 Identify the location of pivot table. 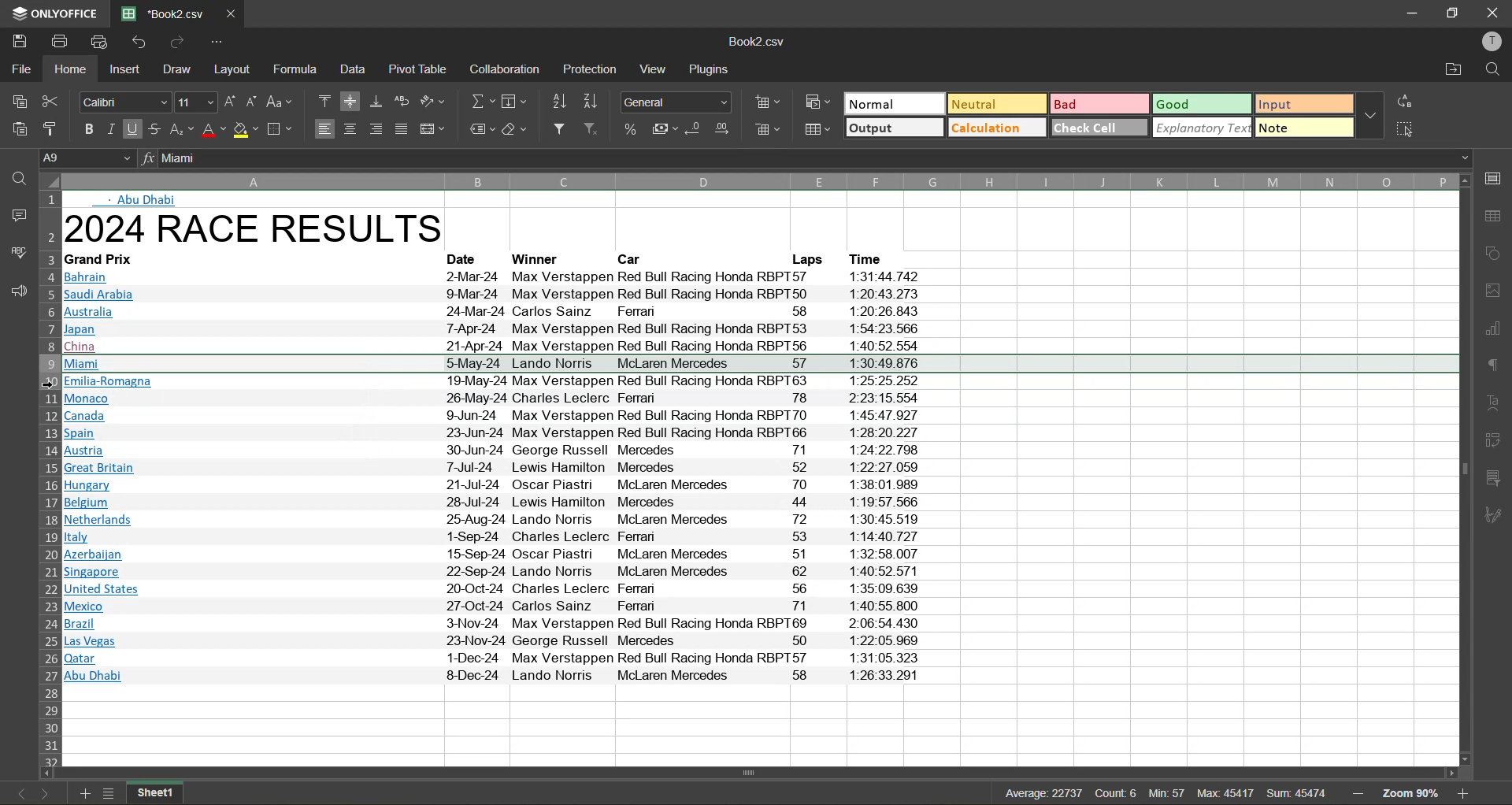
(417, 69).